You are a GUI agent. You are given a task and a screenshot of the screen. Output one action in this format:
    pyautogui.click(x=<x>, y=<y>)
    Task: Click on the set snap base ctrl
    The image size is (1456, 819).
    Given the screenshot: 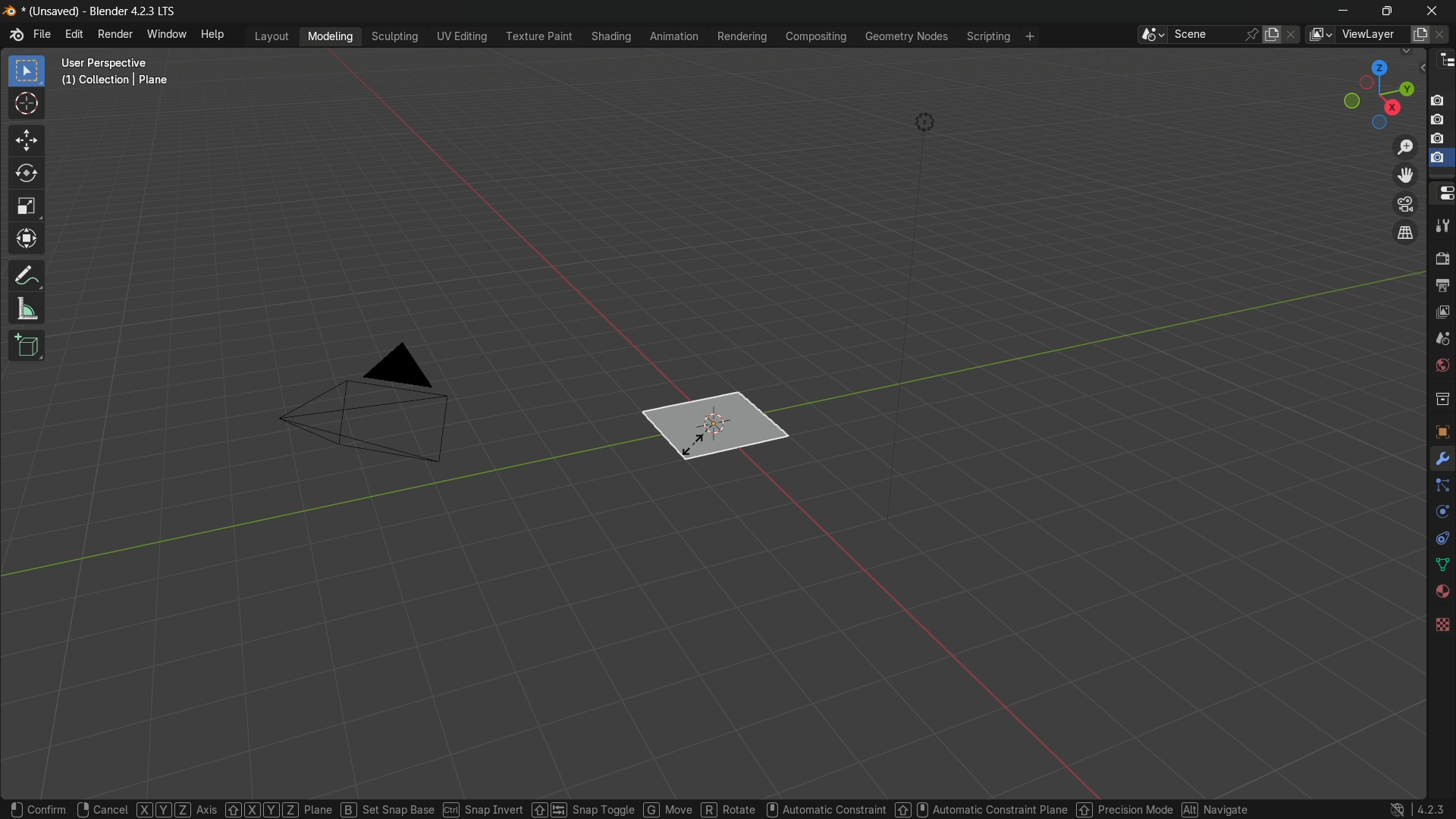 What is the action you would take?
    pyautogui.click(x=411, y=805)
    